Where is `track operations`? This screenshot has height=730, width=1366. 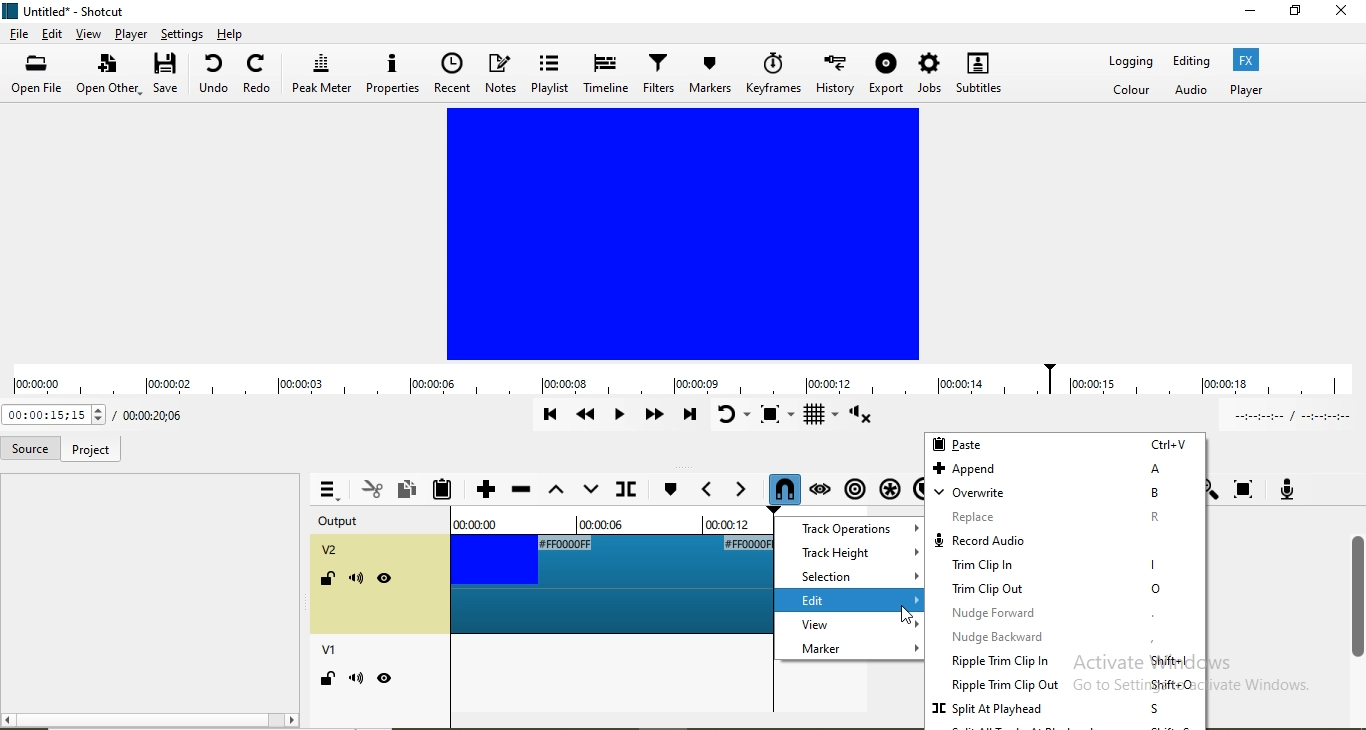 track operations is located at coordinates (851, 528).